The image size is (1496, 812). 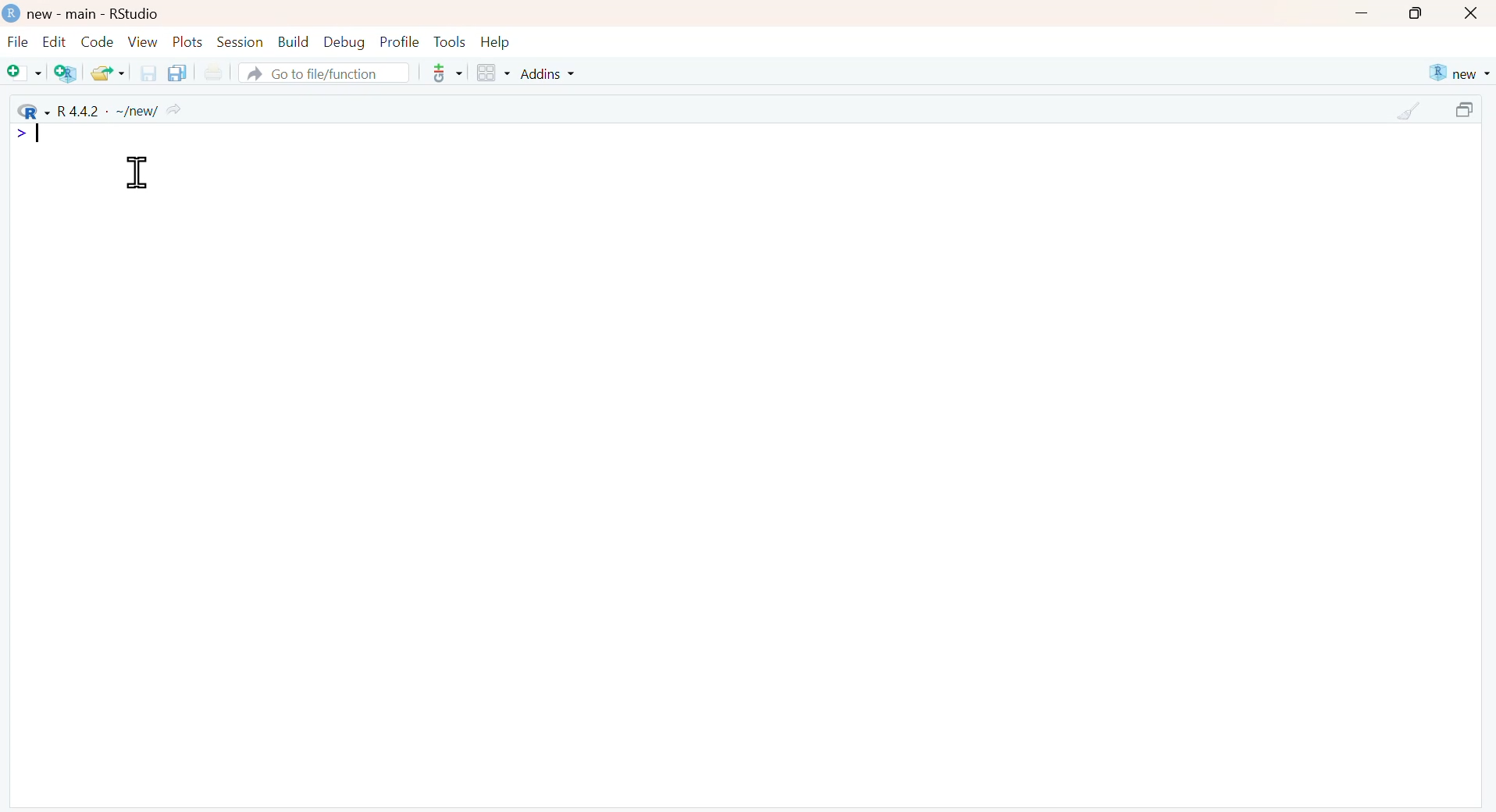 I want to click on Session, so click(x=240, y=41).